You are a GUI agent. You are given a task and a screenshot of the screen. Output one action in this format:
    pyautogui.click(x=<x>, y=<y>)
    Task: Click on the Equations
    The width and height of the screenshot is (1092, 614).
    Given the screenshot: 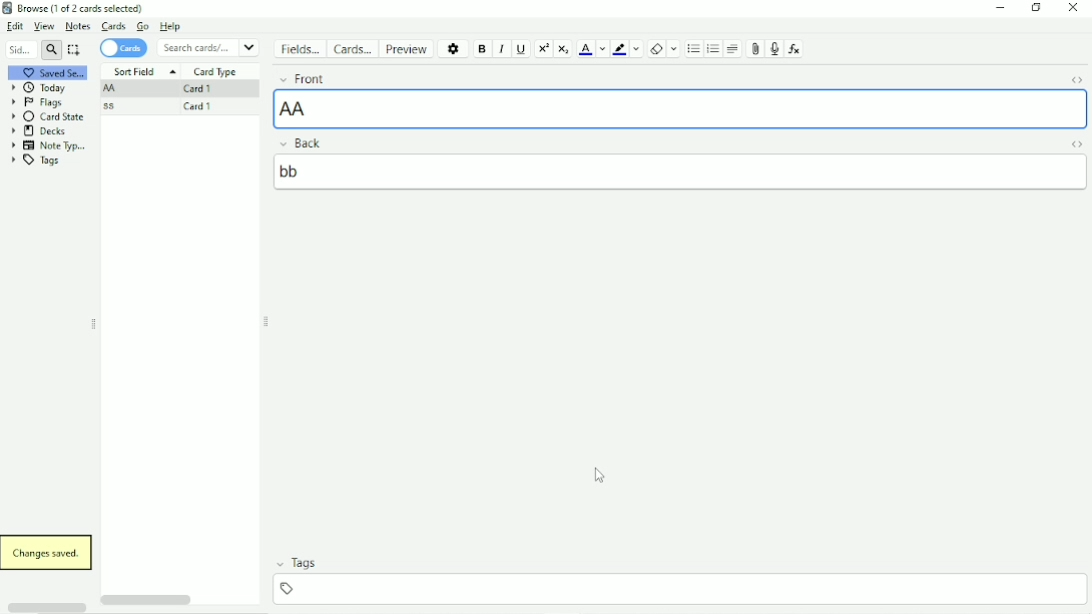 What is the action you would take?
    pyautogui.click(x=794, y=48)
    